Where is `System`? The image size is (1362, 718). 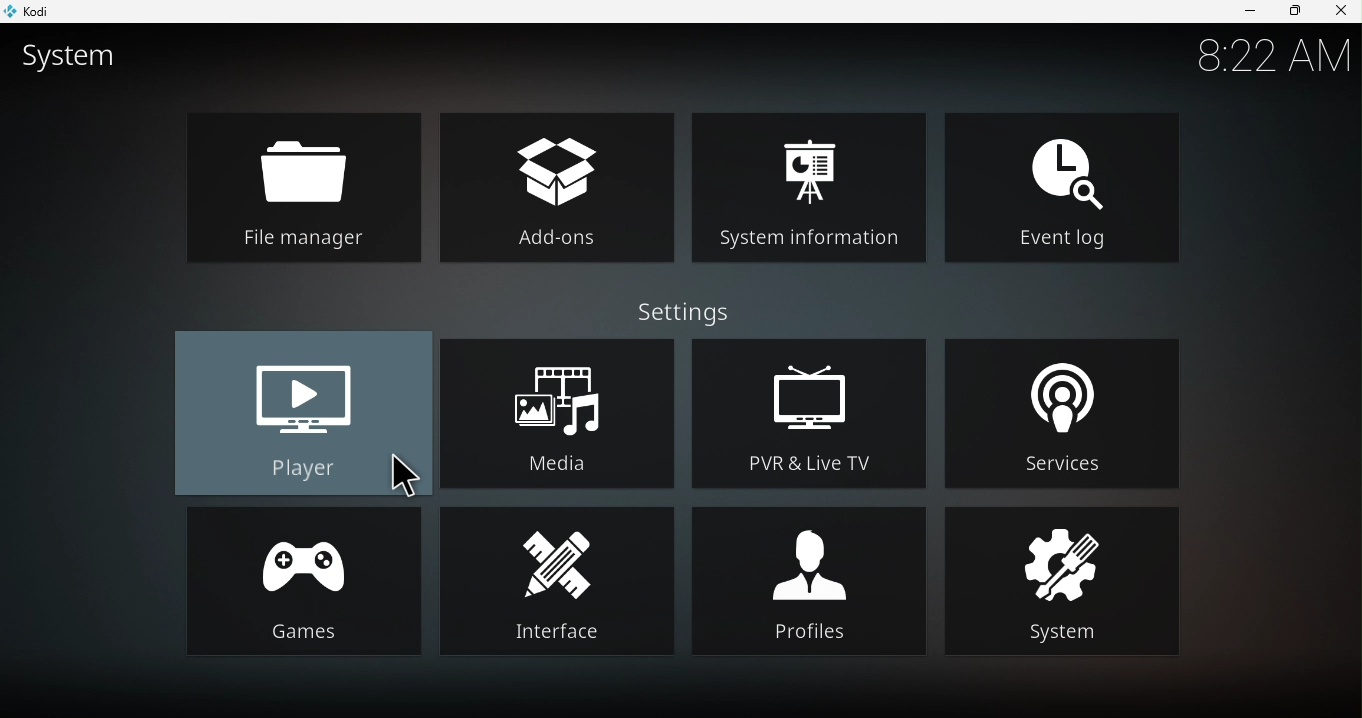 System is located at coordinates (1062, 580).